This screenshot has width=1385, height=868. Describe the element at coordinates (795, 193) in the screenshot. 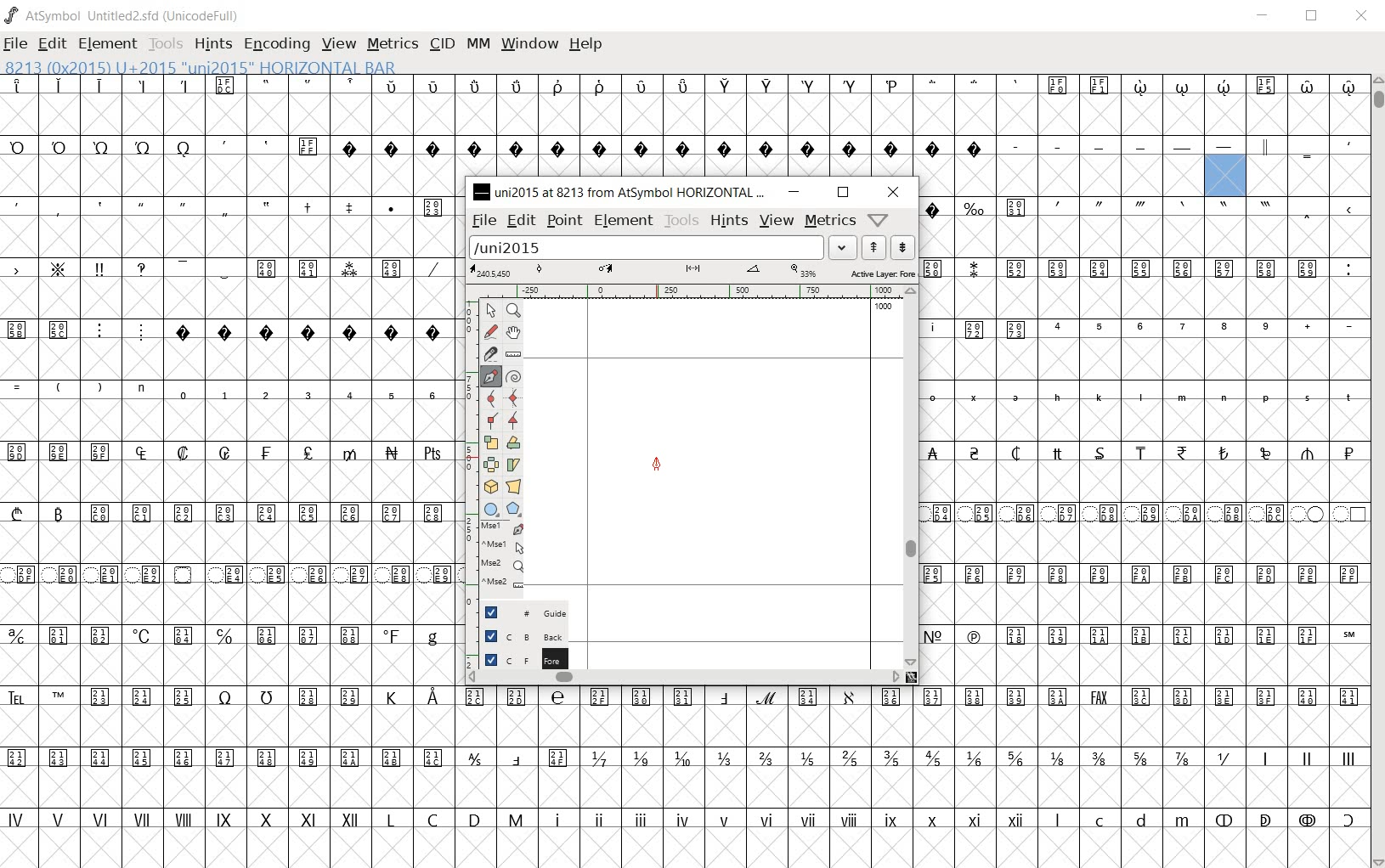

I see `minimize` at that location.